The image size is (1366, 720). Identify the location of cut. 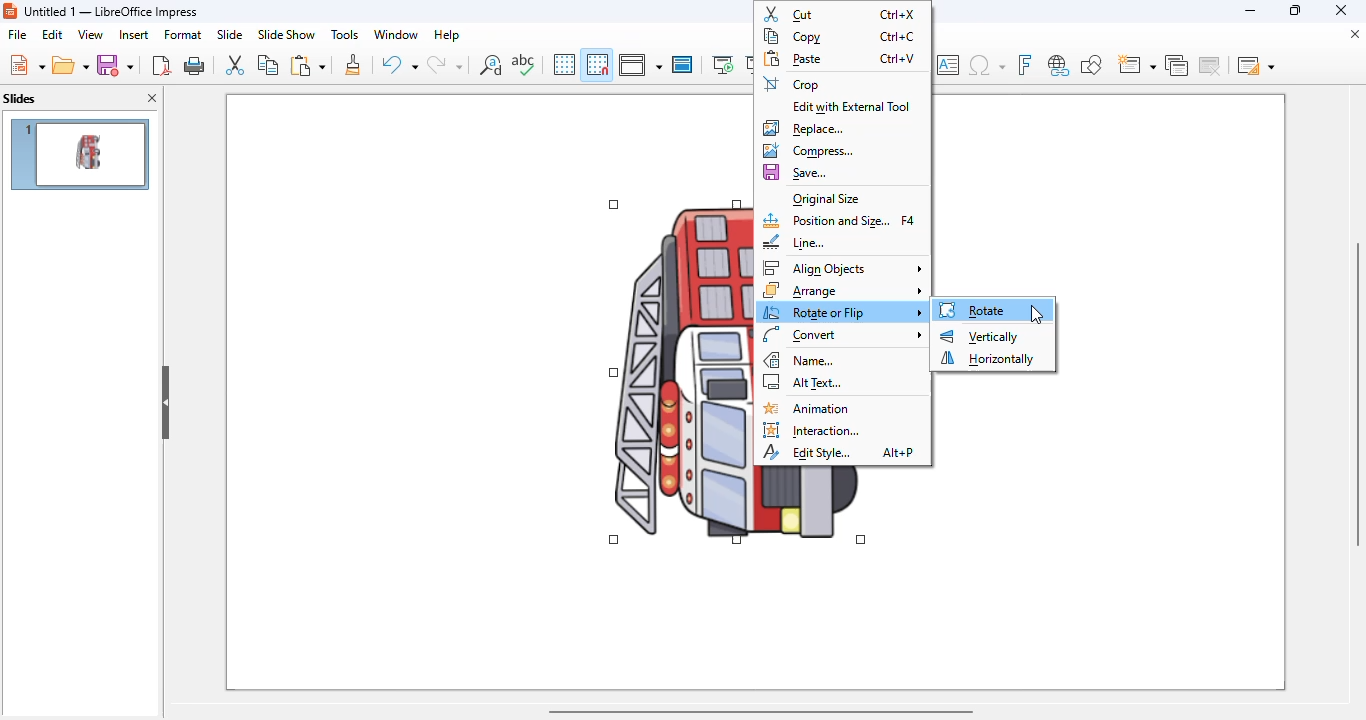
(235, 65).